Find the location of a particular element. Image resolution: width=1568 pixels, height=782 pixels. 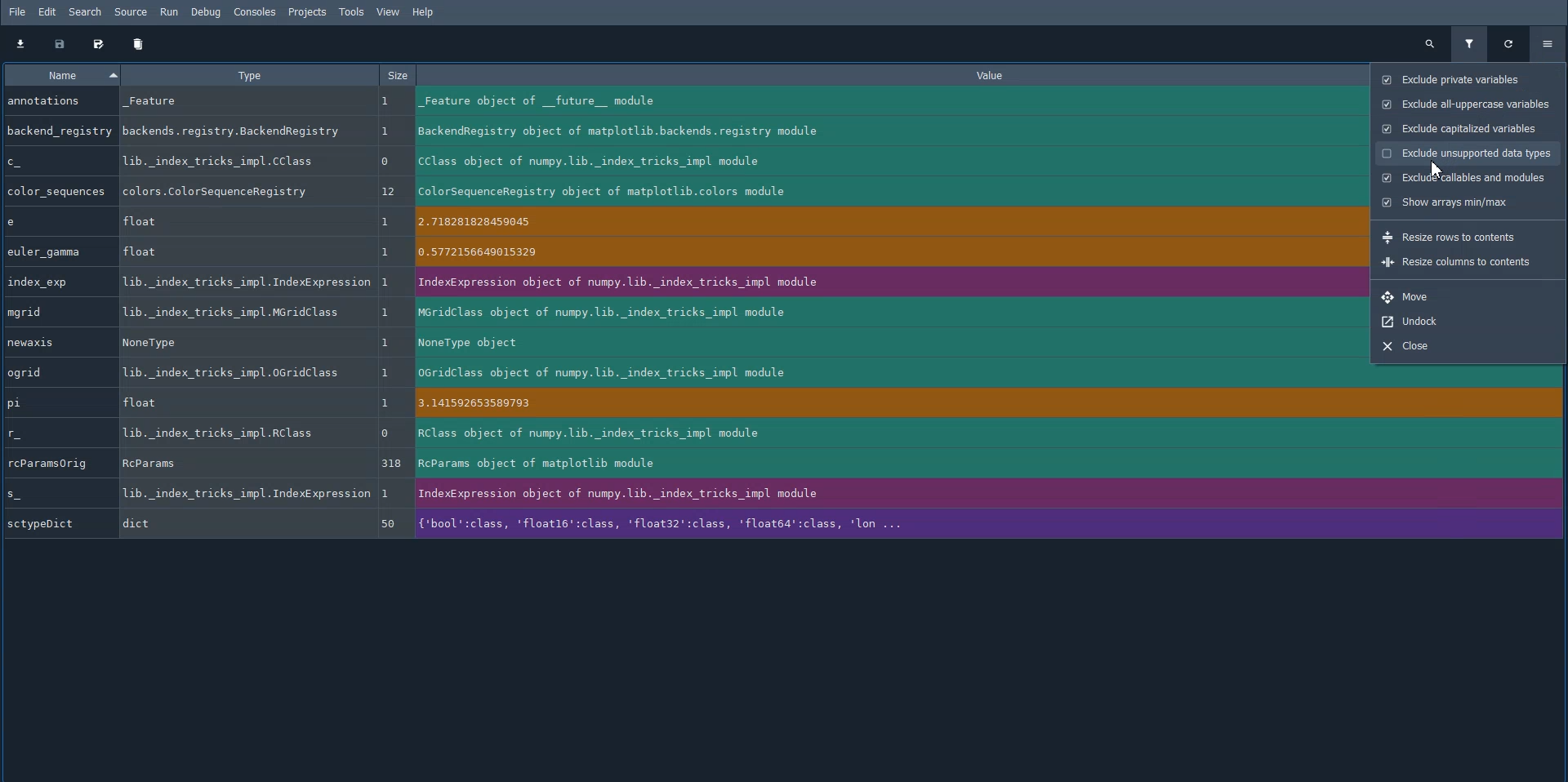

 is located at coordinates (390, 313).